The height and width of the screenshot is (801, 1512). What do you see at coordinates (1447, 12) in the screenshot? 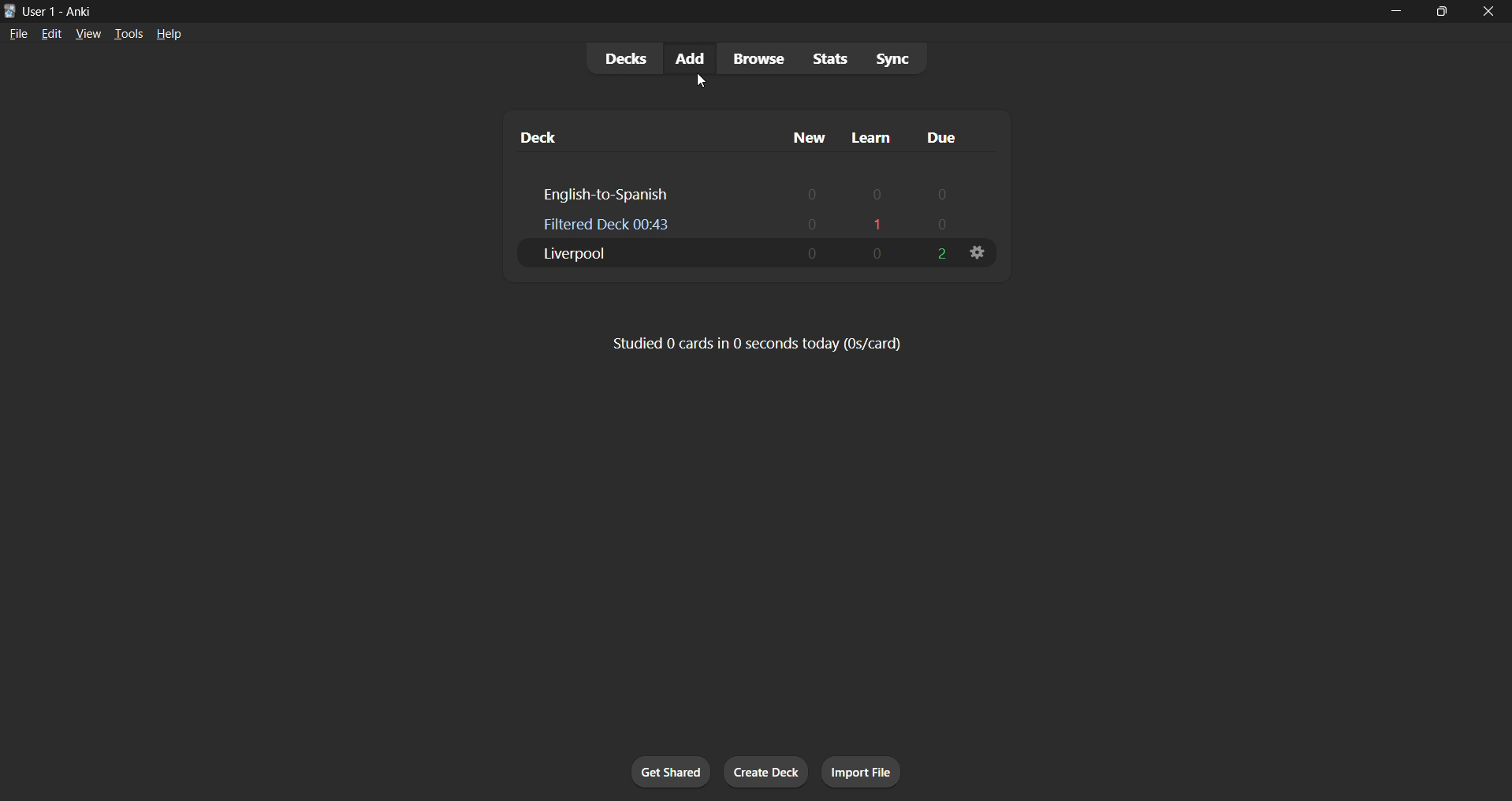
I see `maximize/restore` at bounding box center [1447, 12].